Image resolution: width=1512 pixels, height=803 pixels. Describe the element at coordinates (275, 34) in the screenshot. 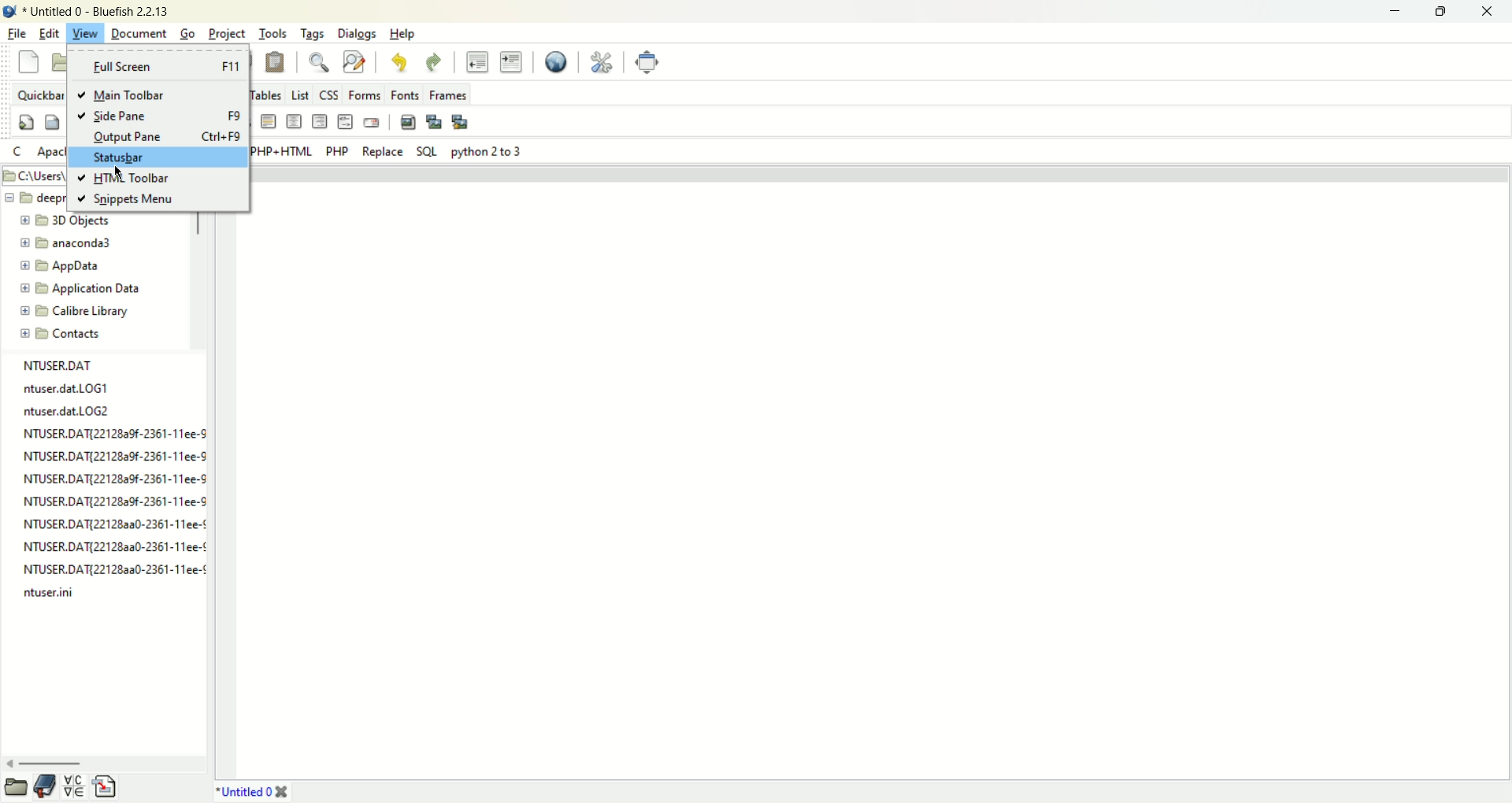

I see `tools` at that location.